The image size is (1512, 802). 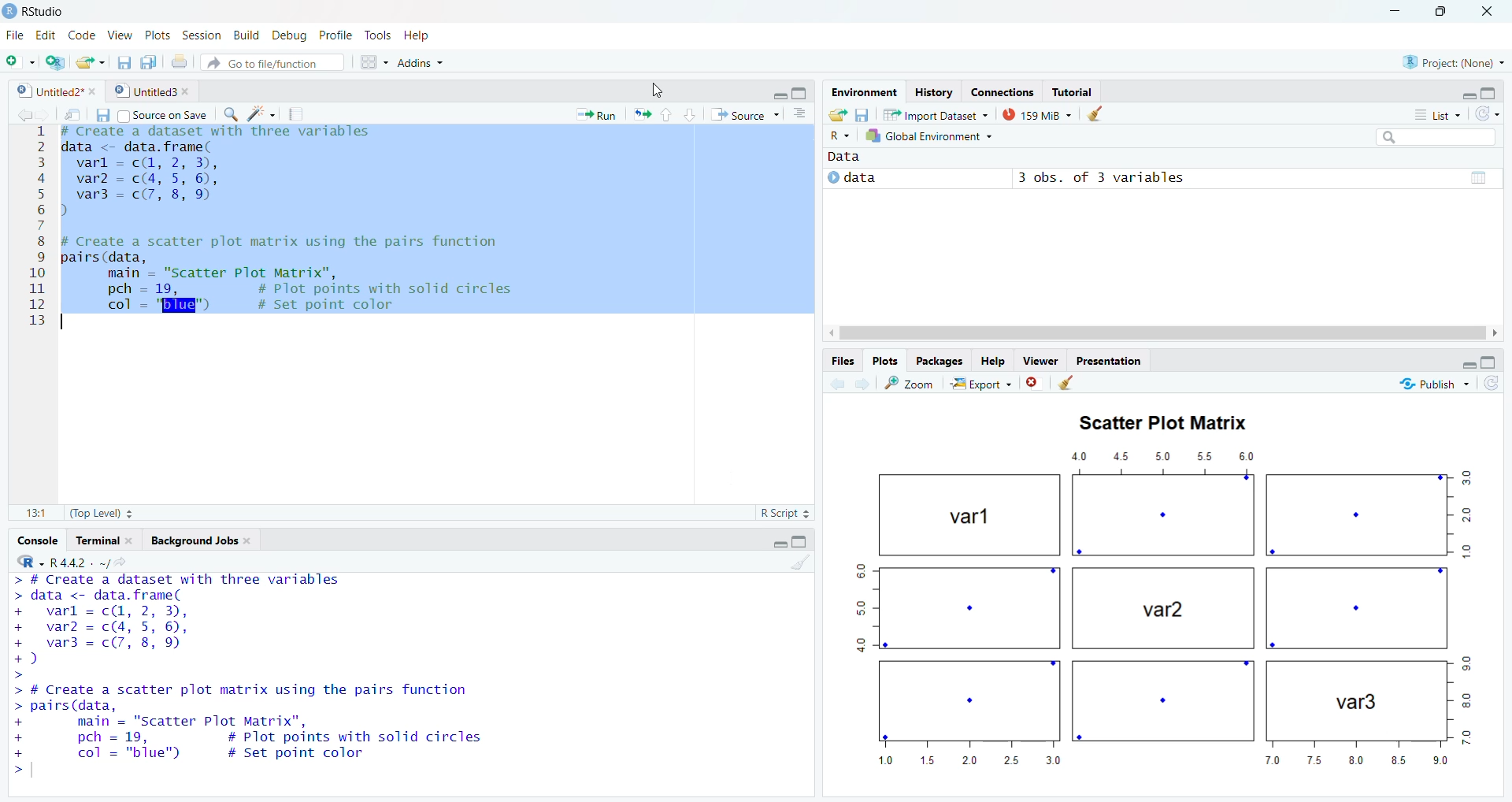 I want to click on History, so click(x=932, y=91).